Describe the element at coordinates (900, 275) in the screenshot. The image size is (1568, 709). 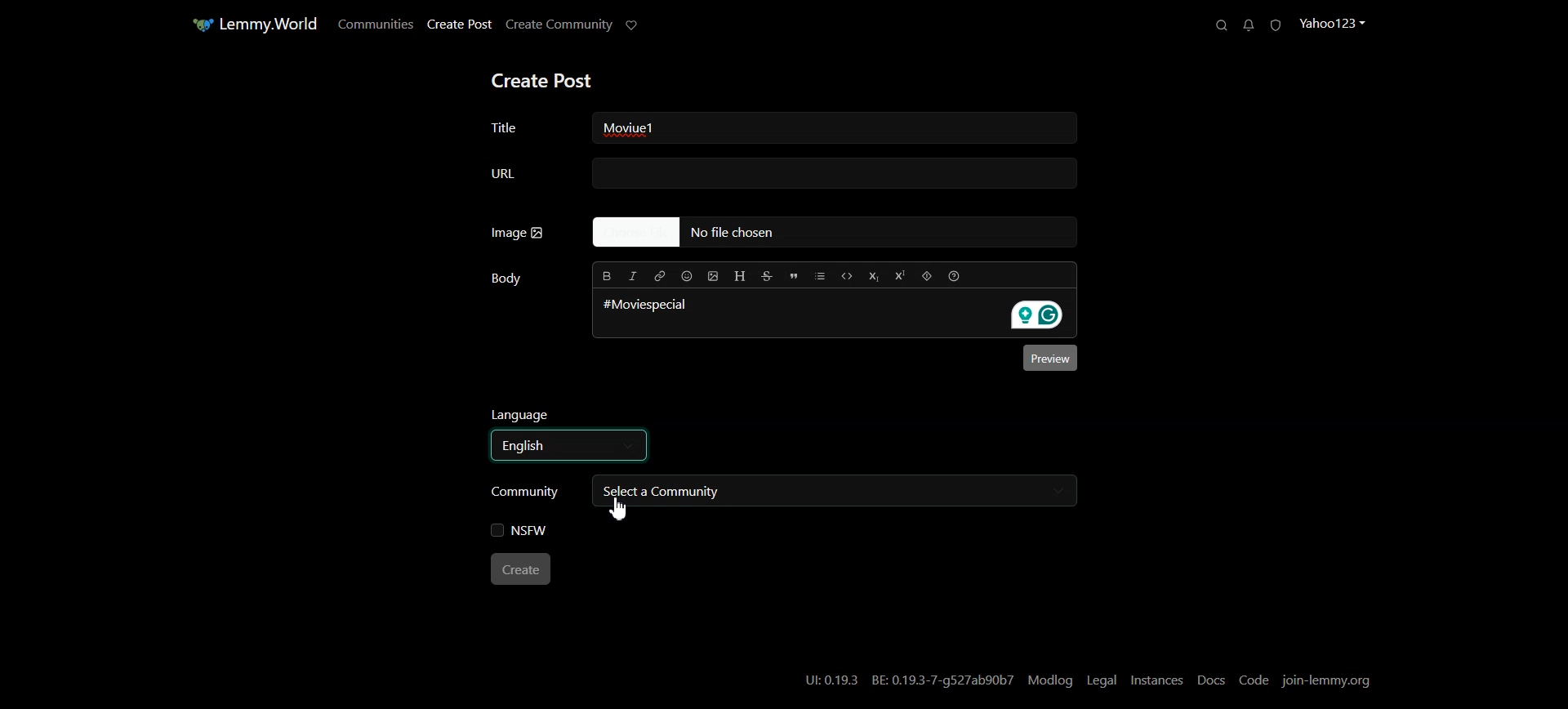
I see `Superscript` at that location.